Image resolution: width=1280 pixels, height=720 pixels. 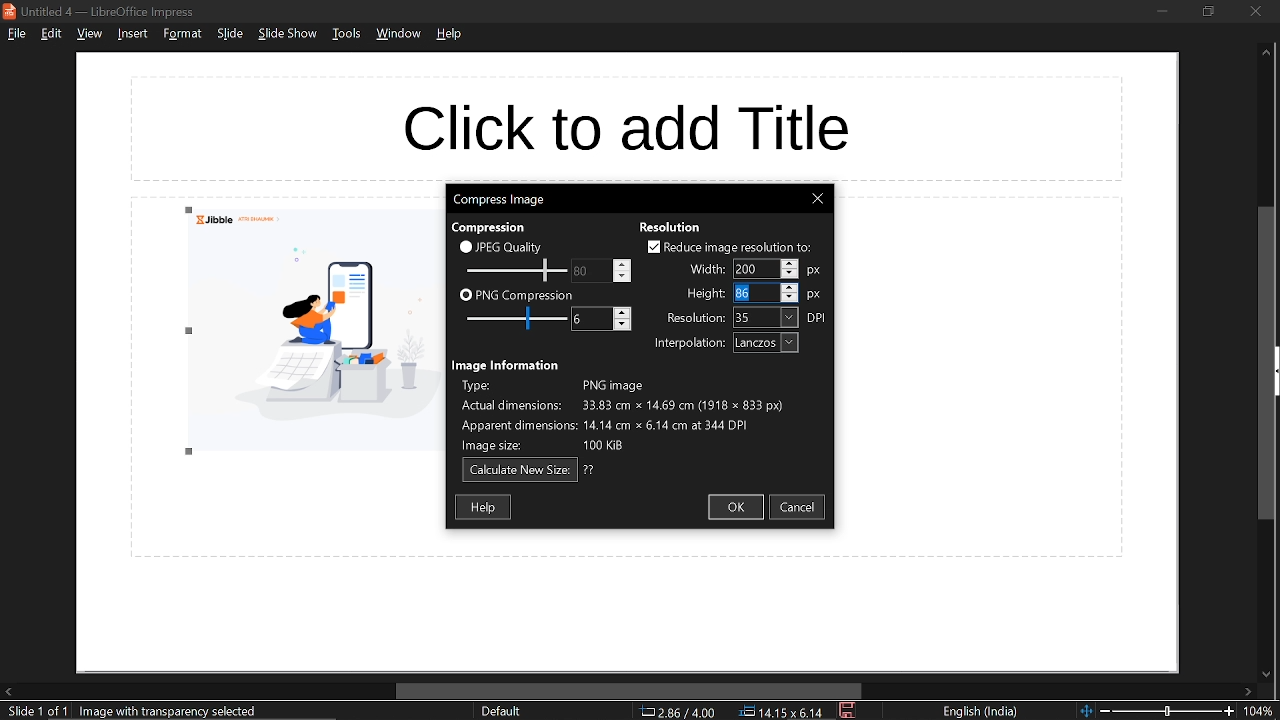 What do you see at coordinates (89, 35) in the screenshot?
I see `view` at bounding box center [89, 35].